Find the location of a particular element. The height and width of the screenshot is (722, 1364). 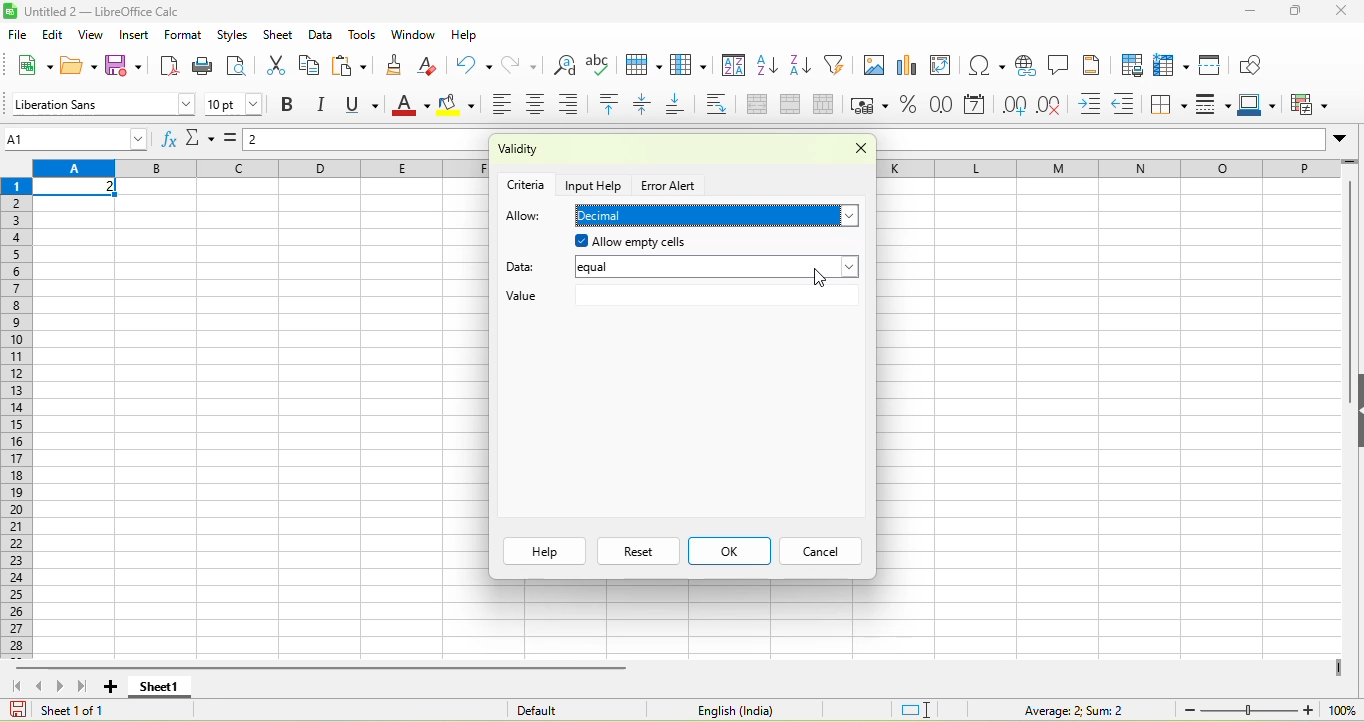

bold is located at coordinates (289, 106).